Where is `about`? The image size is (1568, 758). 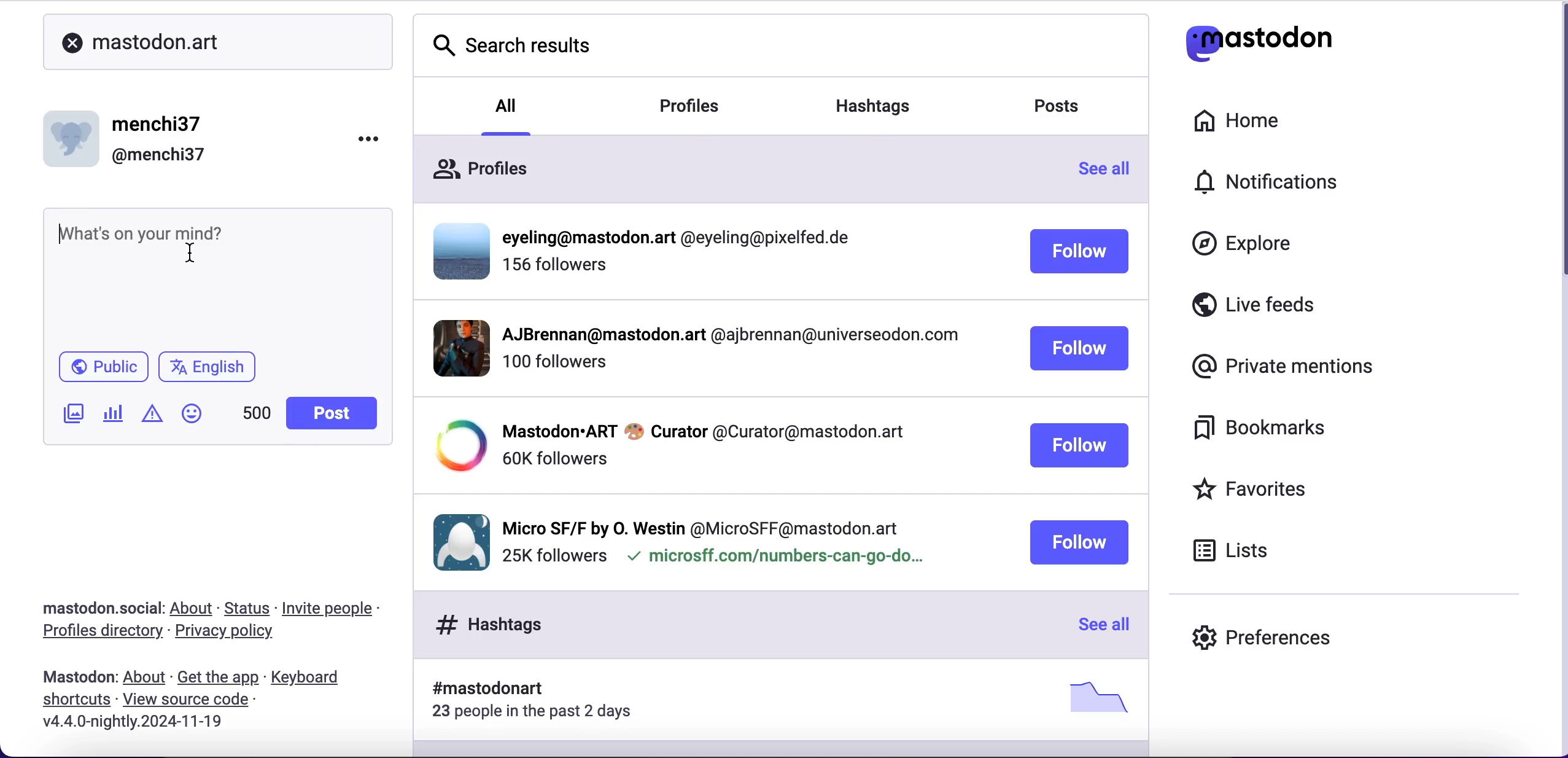
about is located at coordinates (146, 677).